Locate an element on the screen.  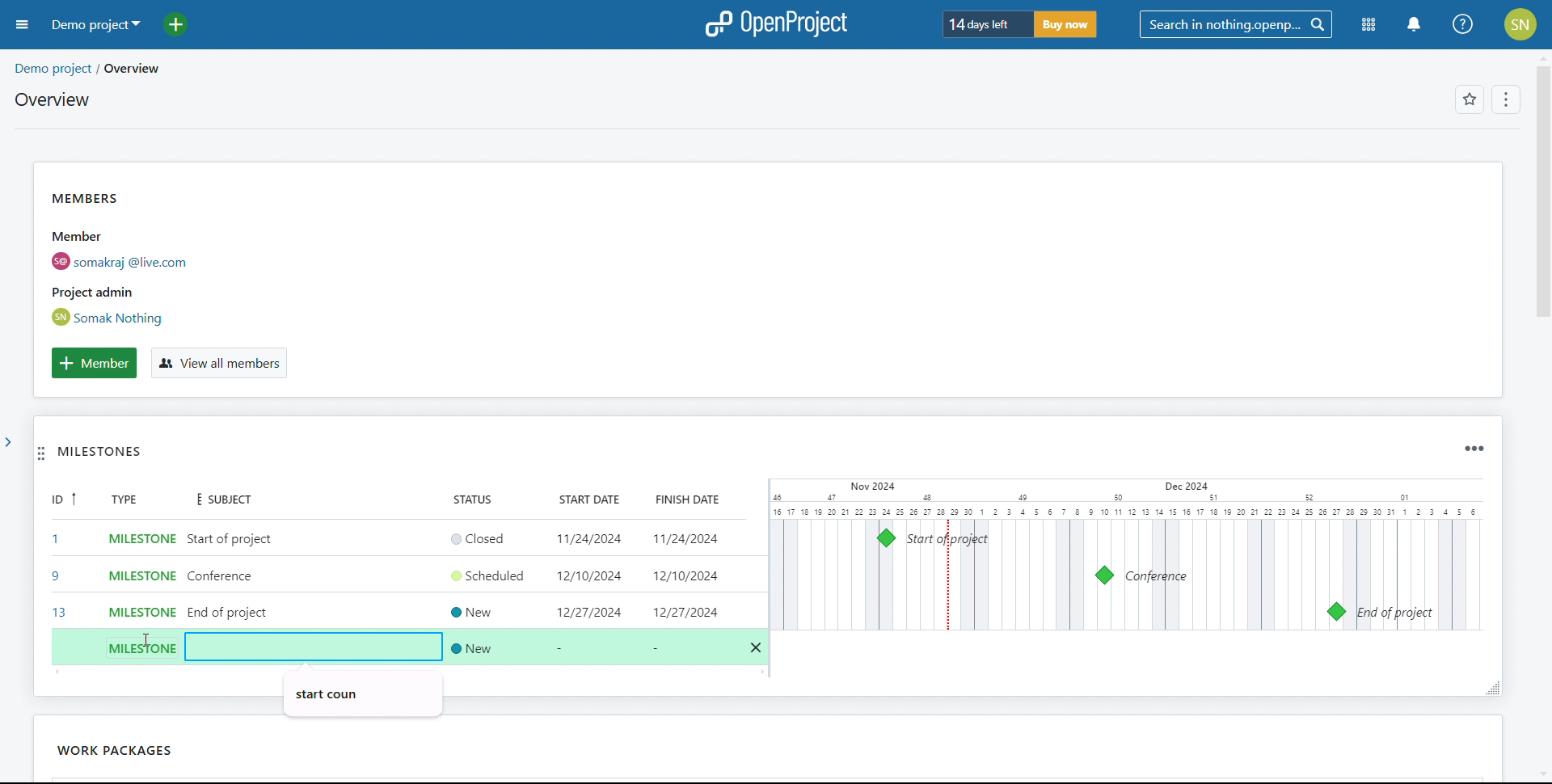
cursor is located at coordinates (146, 642).